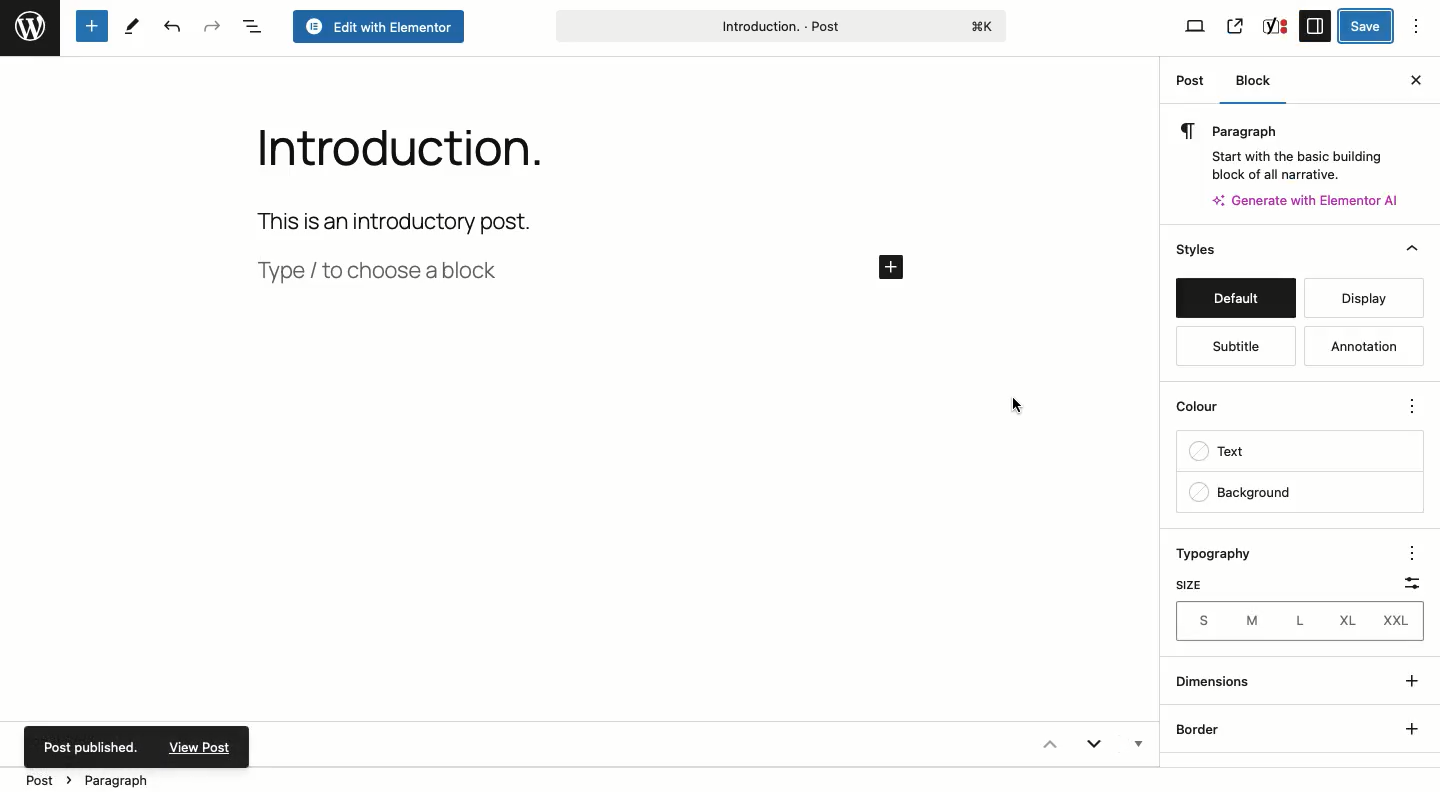  What do you see at coordinates (1232, 347) in the screenshot?
I see `Subtitle` at bounding box center [1232, 347].